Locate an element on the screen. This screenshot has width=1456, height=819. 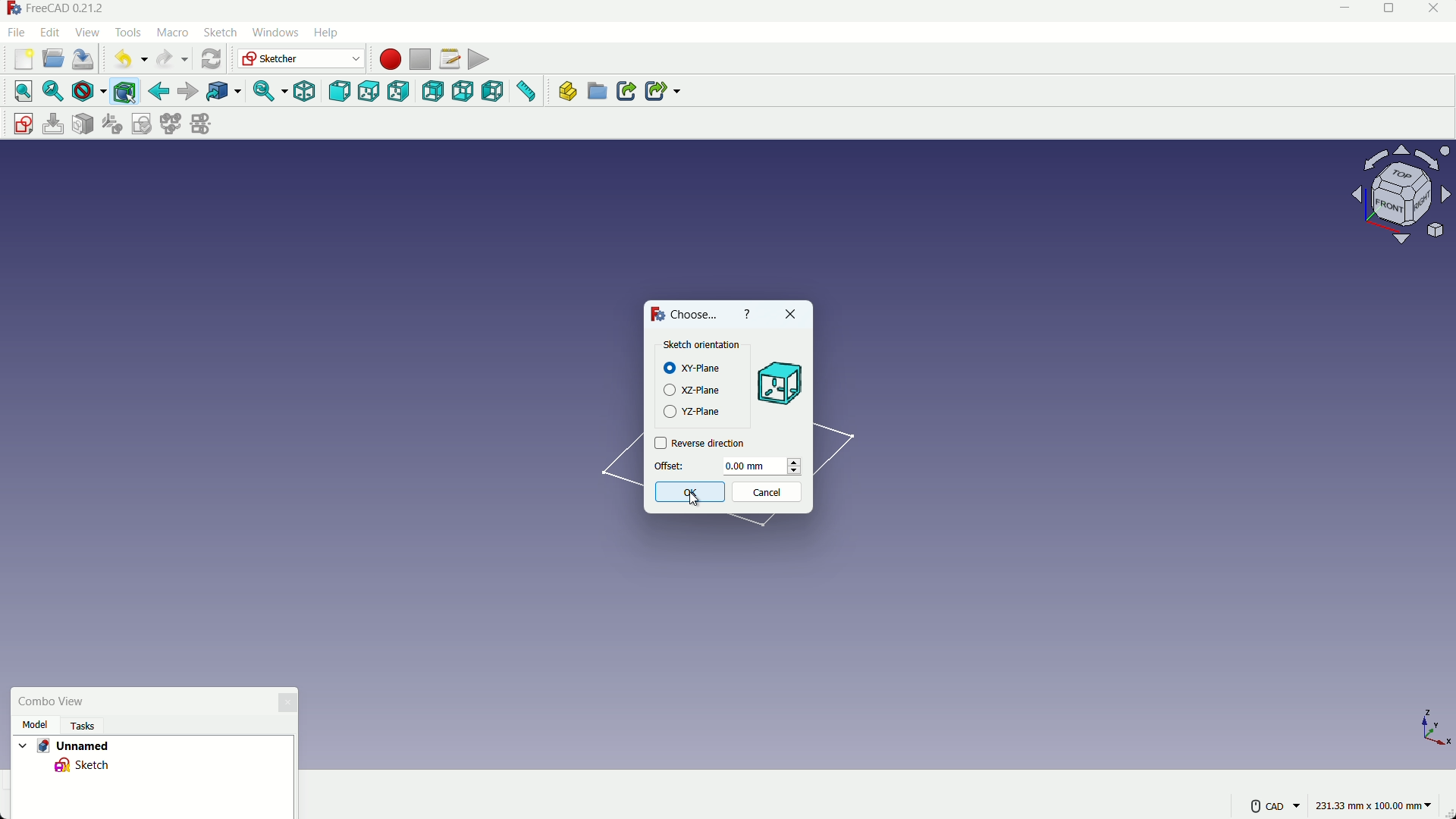
tasks Tab is located at coordinates (93, 725).